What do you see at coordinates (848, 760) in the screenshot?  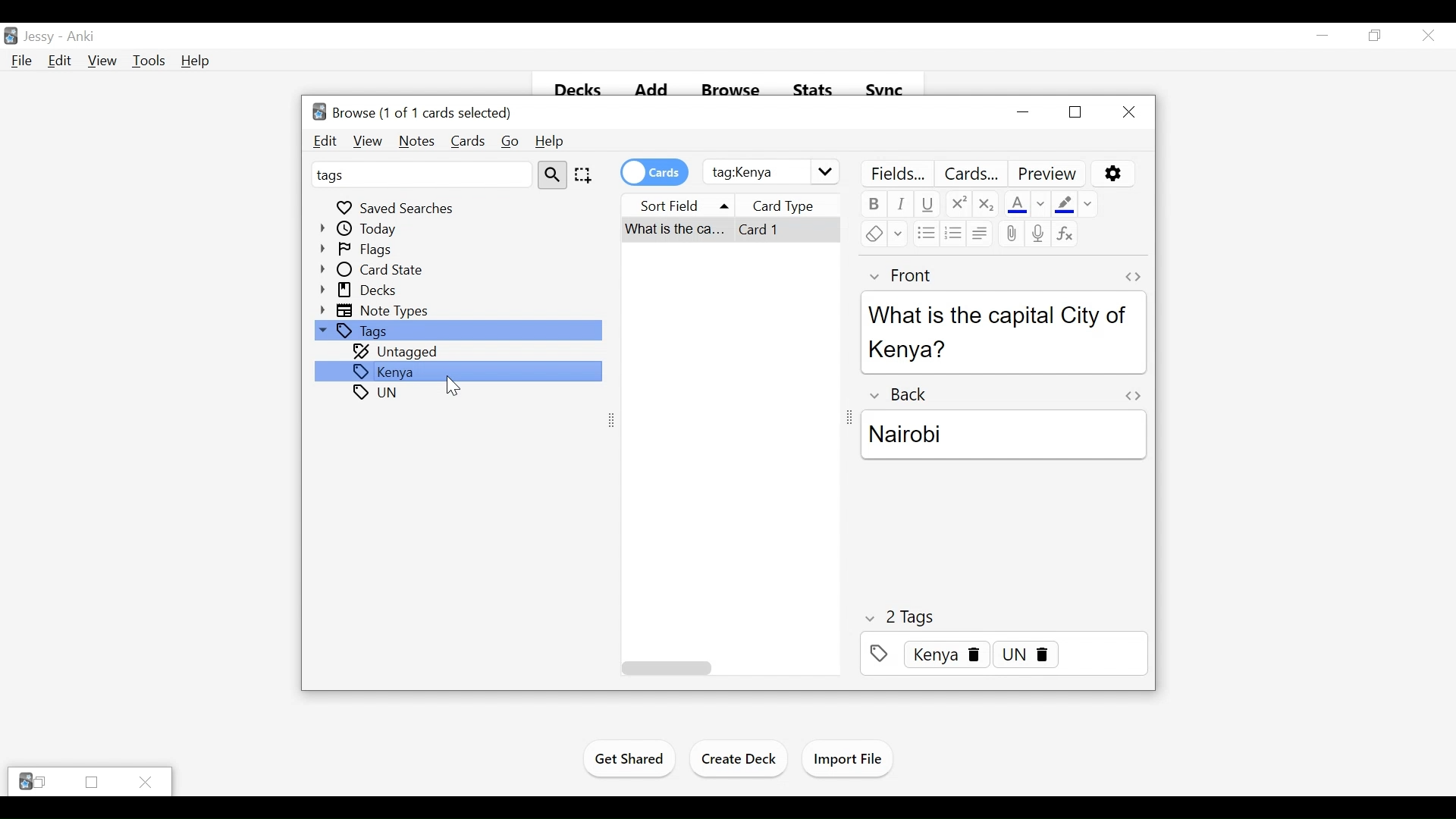 I see `Import Files` at bounding box center [848, 760].